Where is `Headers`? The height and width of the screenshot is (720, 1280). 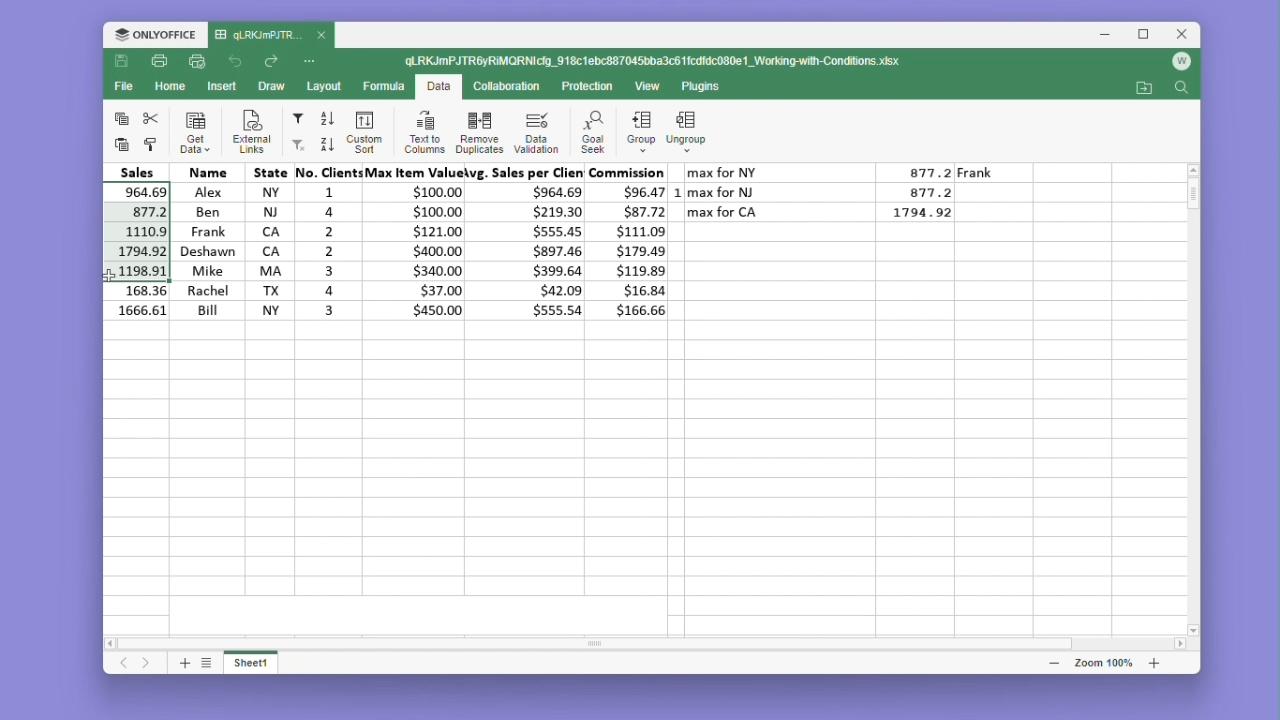
Headers is located at coordinates (385, 172).